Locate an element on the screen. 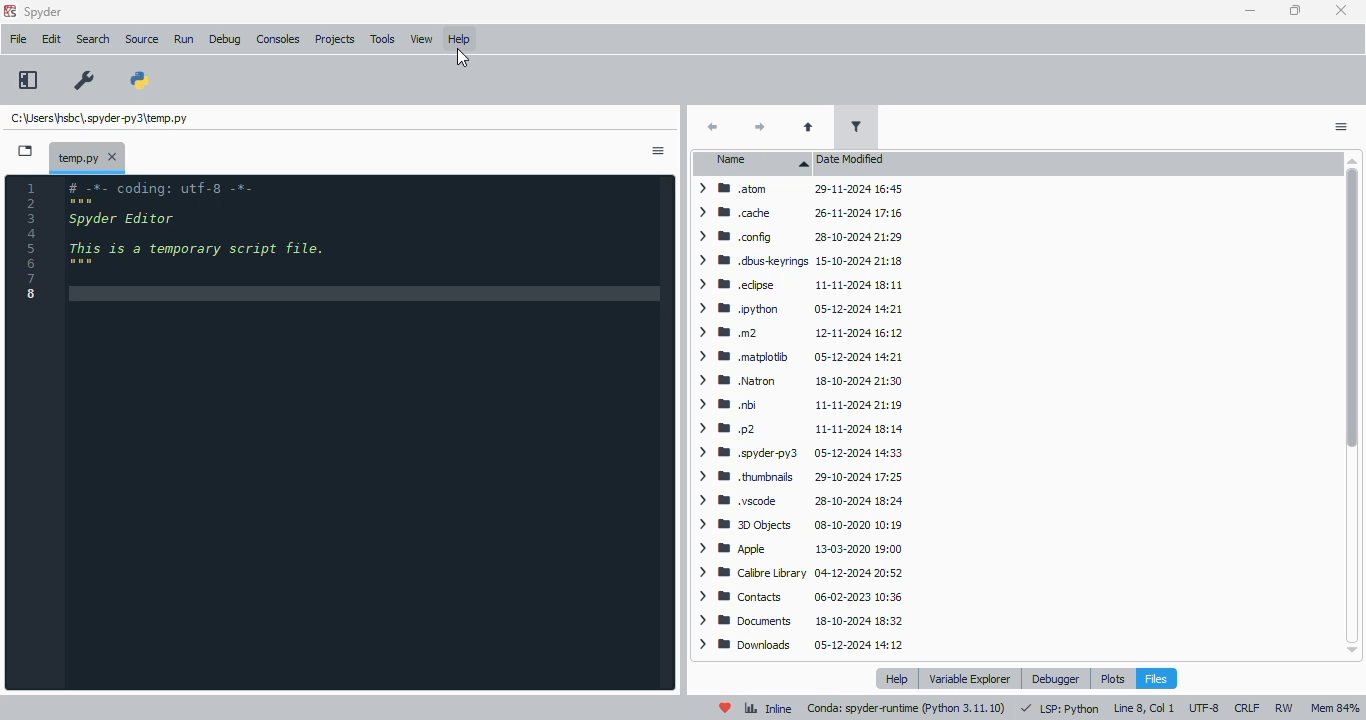 This screenshot has height=720, width=1366. LSP: python is located at coordinates (1060, 709).